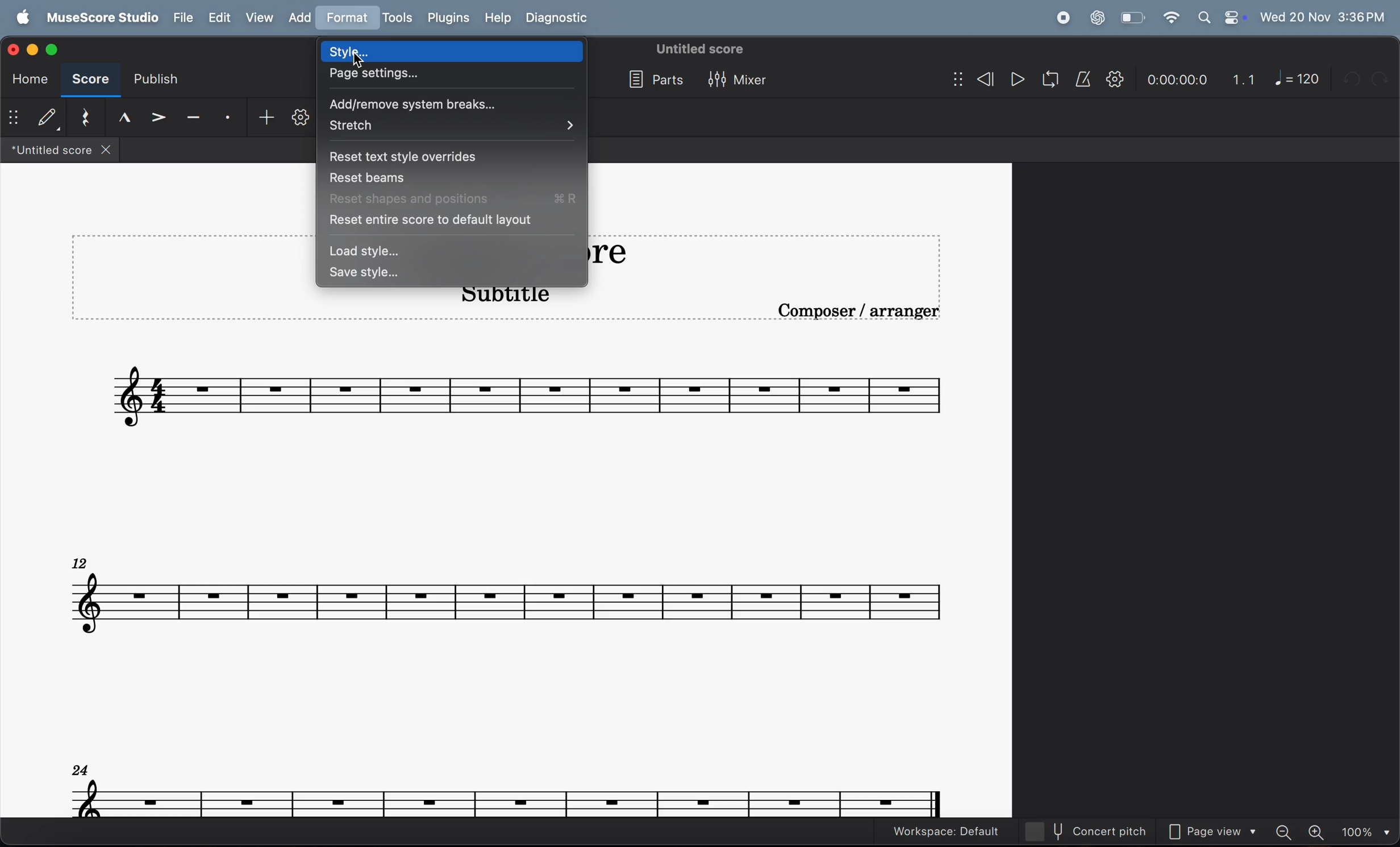 The height and width of the screenshot is (847, 1400). Describe the element at coordinates (450, 126) in the screenshot. I see `strectch` at that location.